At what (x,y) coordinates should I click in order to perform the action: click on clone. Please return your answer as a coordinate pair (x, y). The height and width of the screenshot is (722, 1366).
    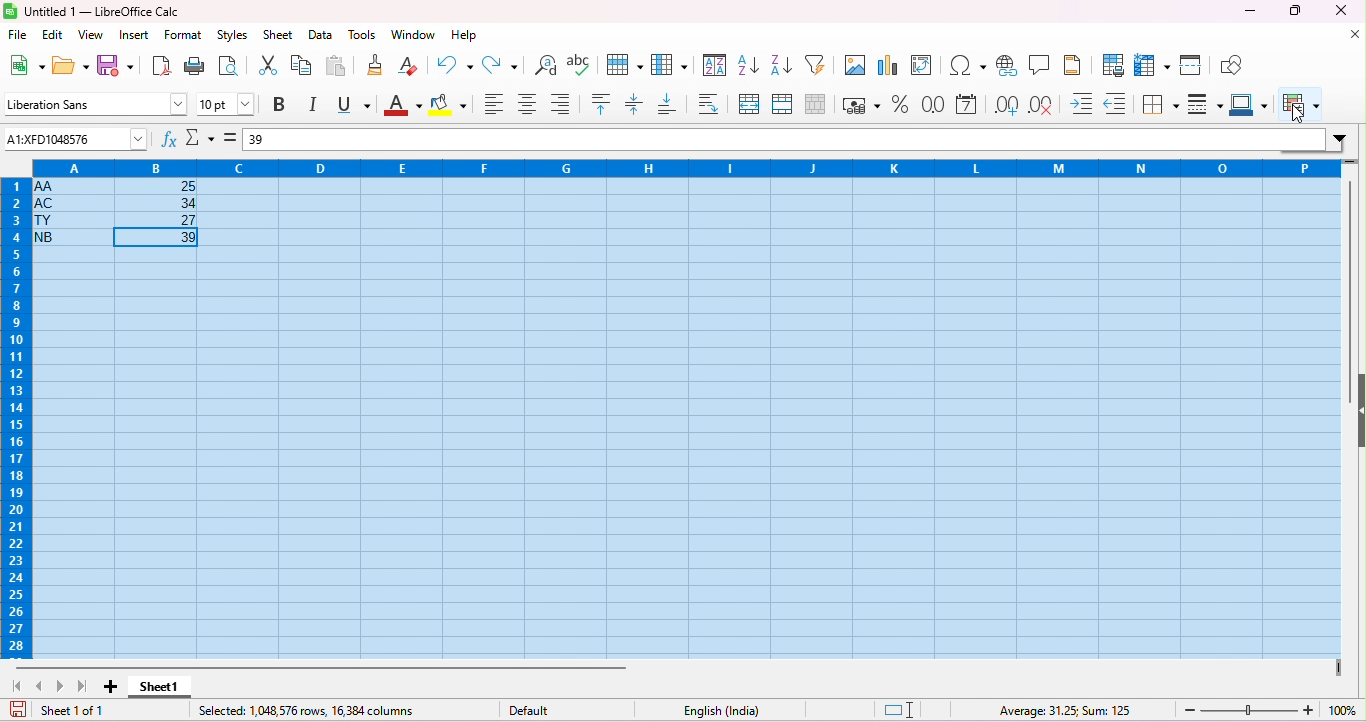
    Looking at the image, I should click on (377, 64).